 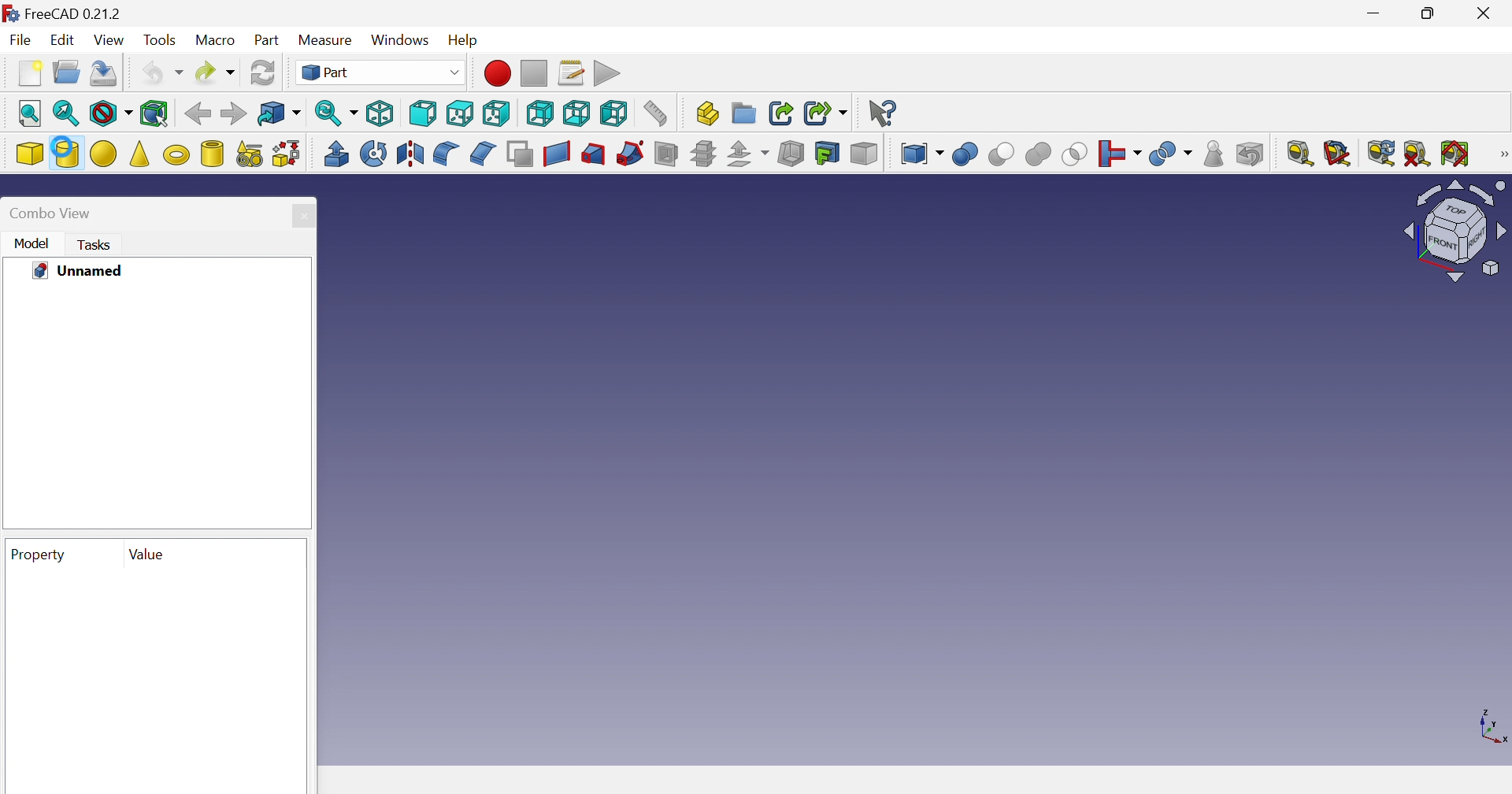 What do you see at coordinates (667, 154) in the screenshot?
I see `Section` at bounding box center [667, 154].